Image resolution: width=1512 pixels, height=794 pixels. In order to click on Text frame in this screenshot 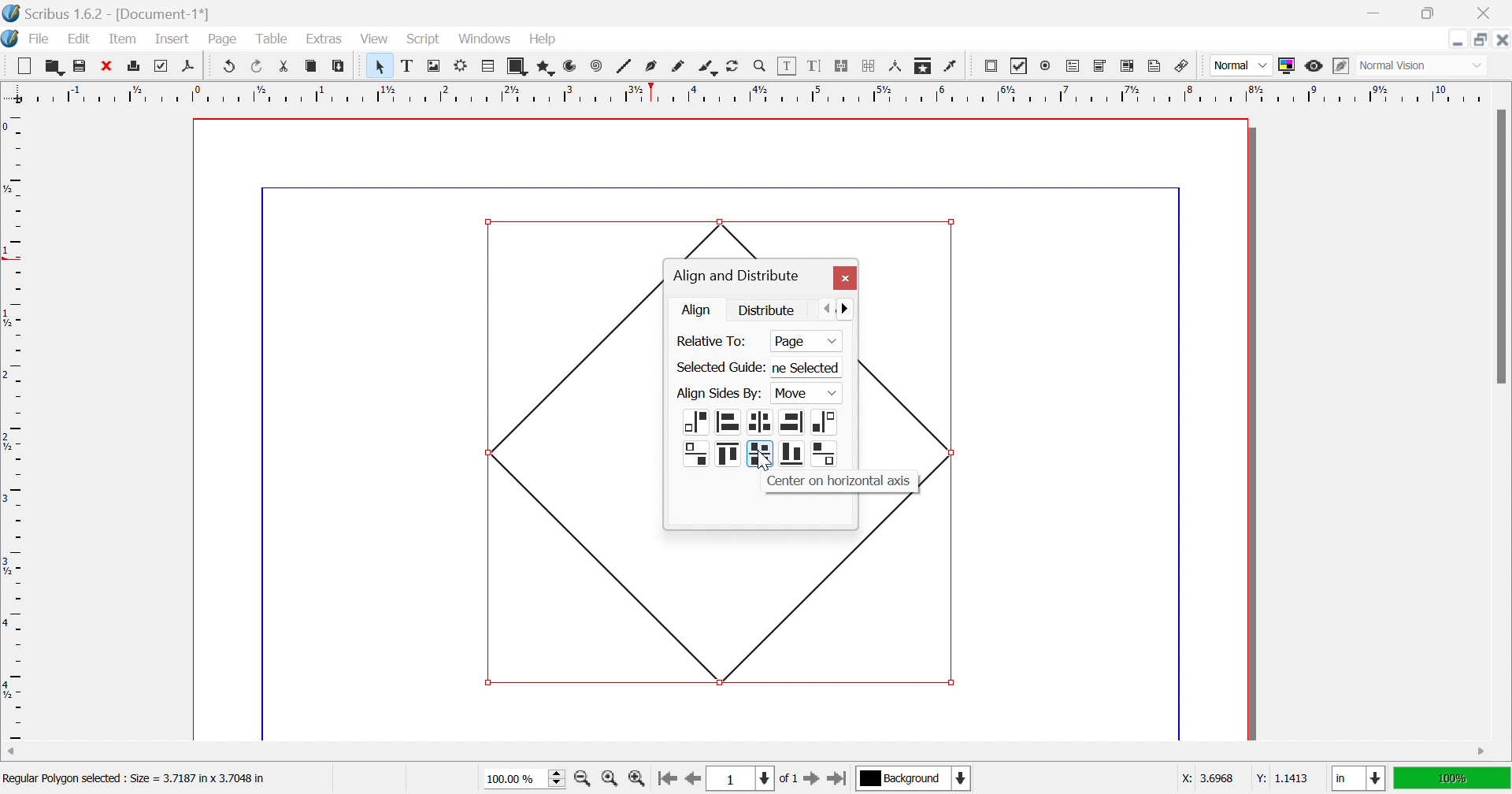, I will do `click(409, 65)`.